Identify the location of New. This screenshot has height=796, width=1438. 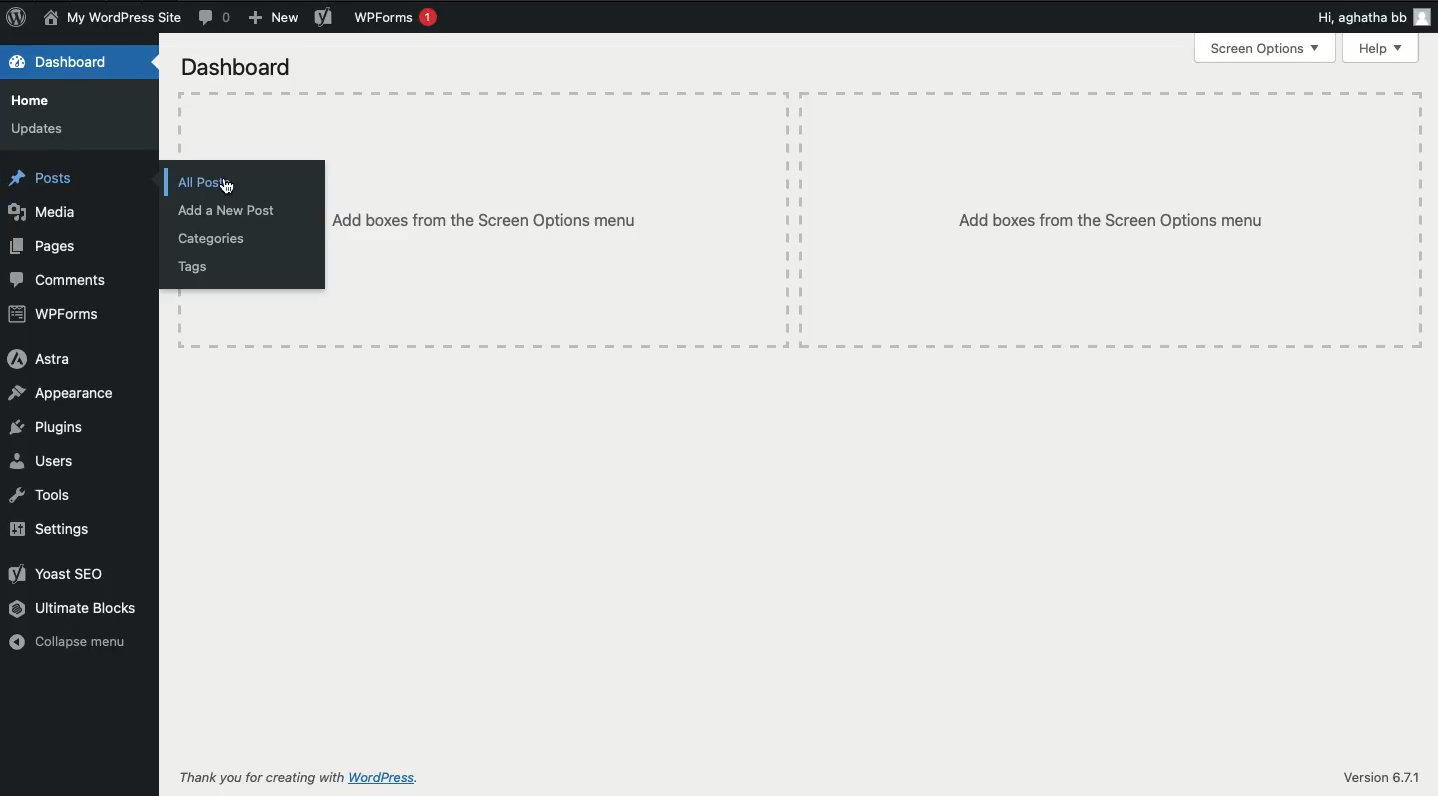
(272, 17).